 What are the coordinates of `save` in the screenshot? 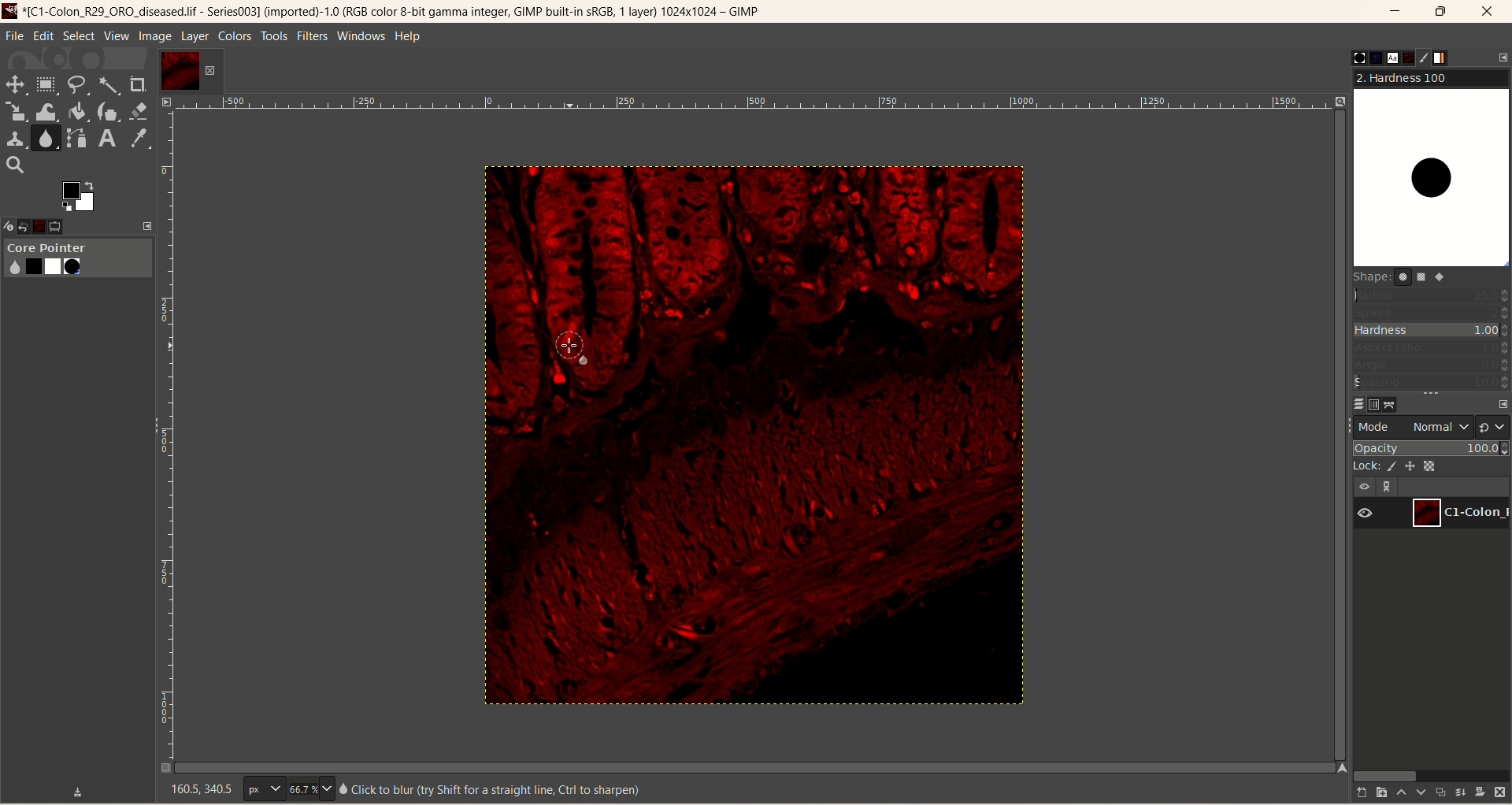 It's located at (79, 790).